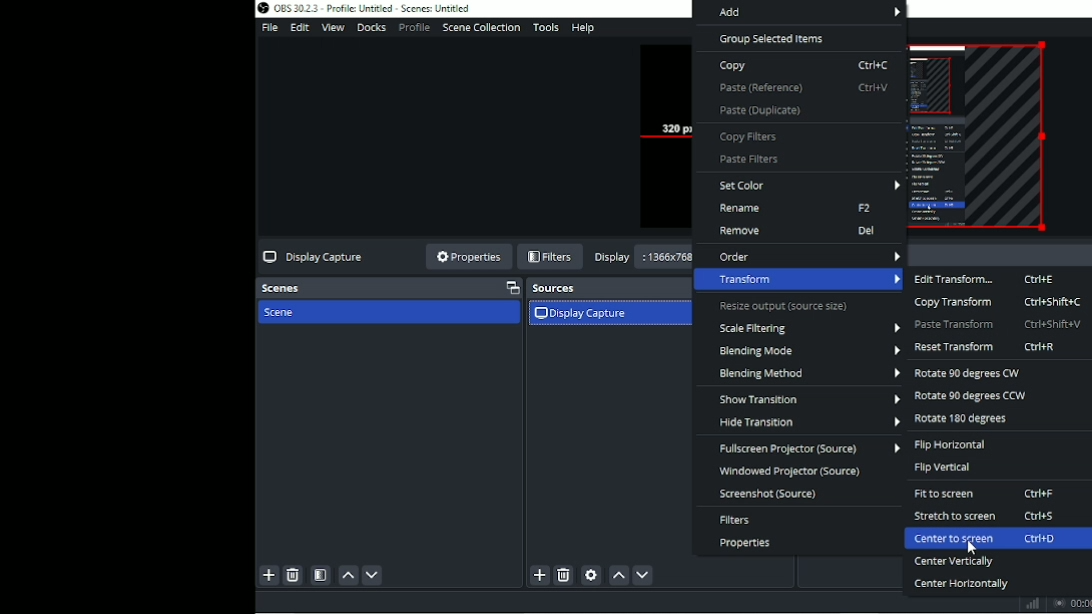 This screenshot has height=614, width=1092. What do you see at coordinates (799, 208) in the screenshot?
I see `Rename` at bounding box center [799, 208].